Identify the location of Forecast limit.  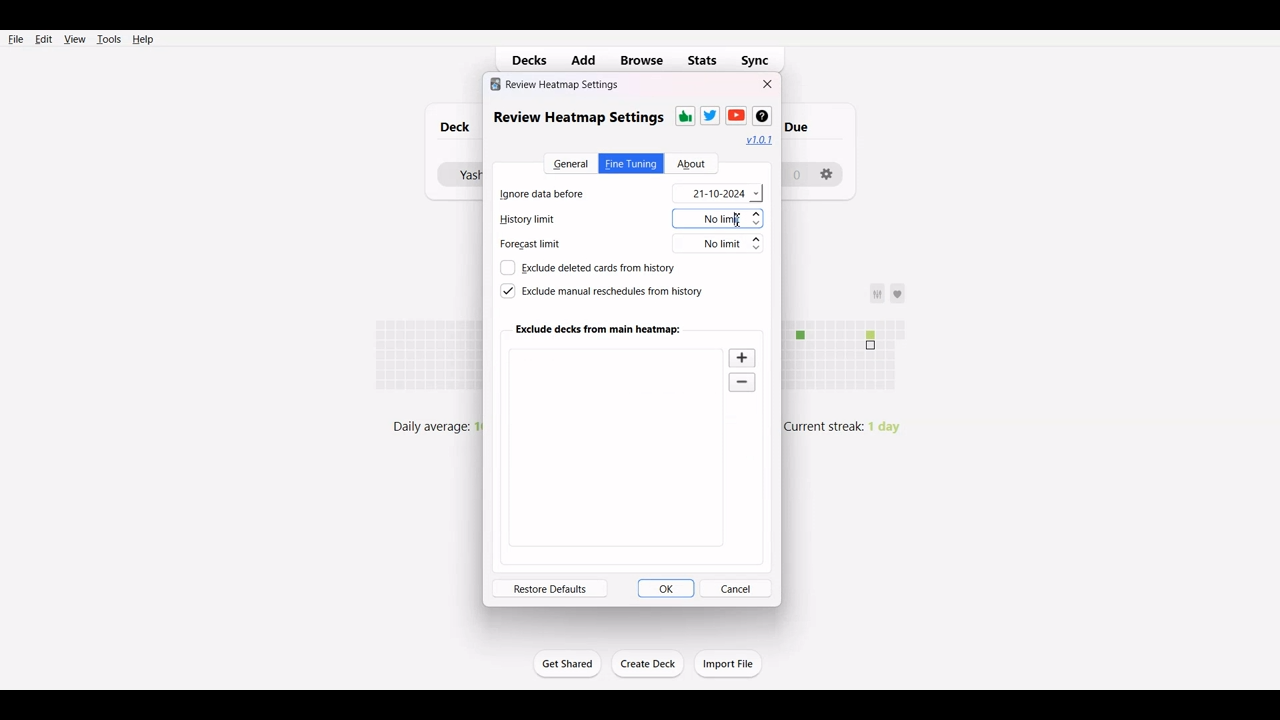
(542, 247).